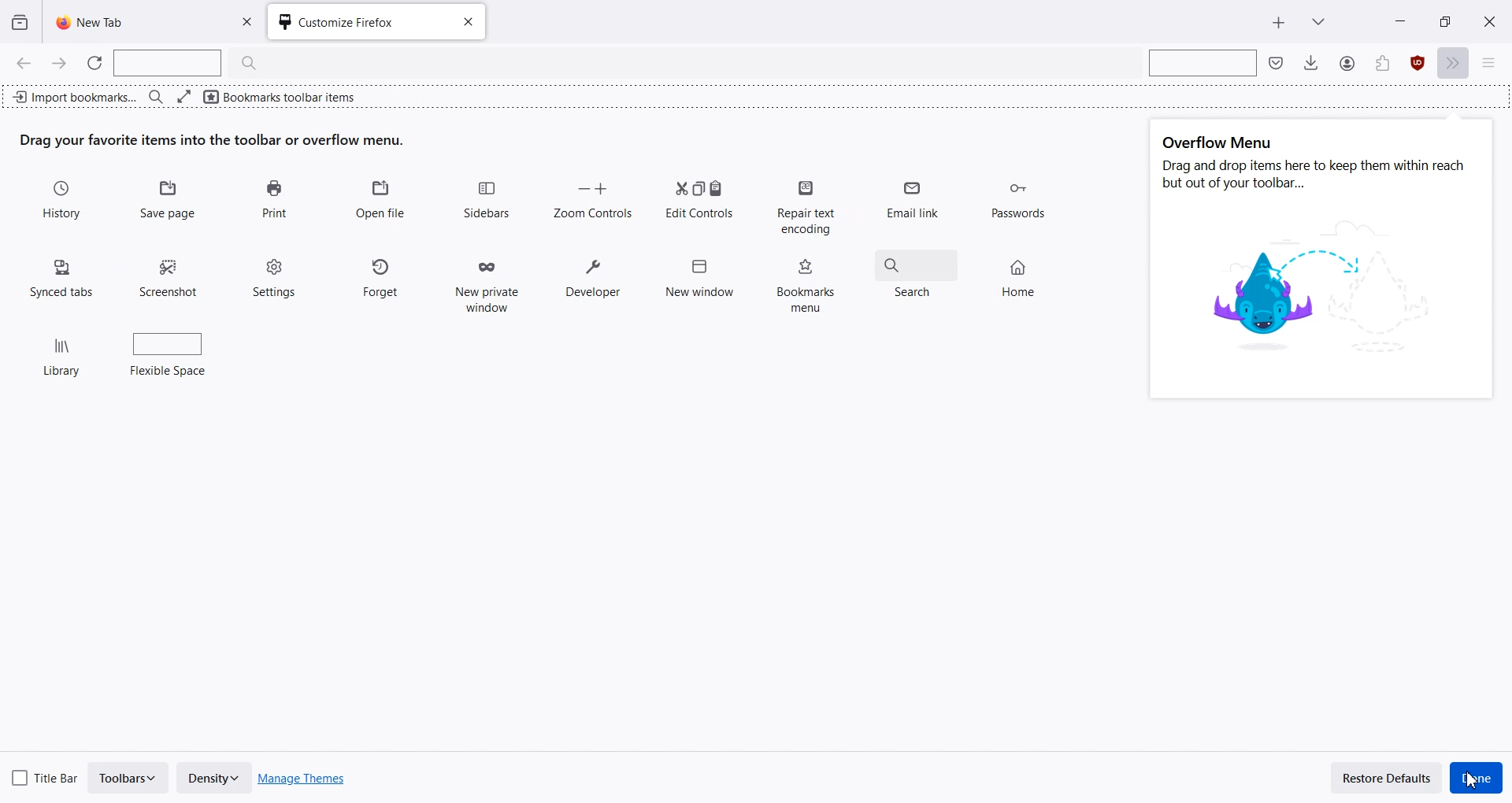  What do you see at coordinates (1346, 63) in the screenshot?
I see `Save to Pocket` at bounding box center [1346, 63].